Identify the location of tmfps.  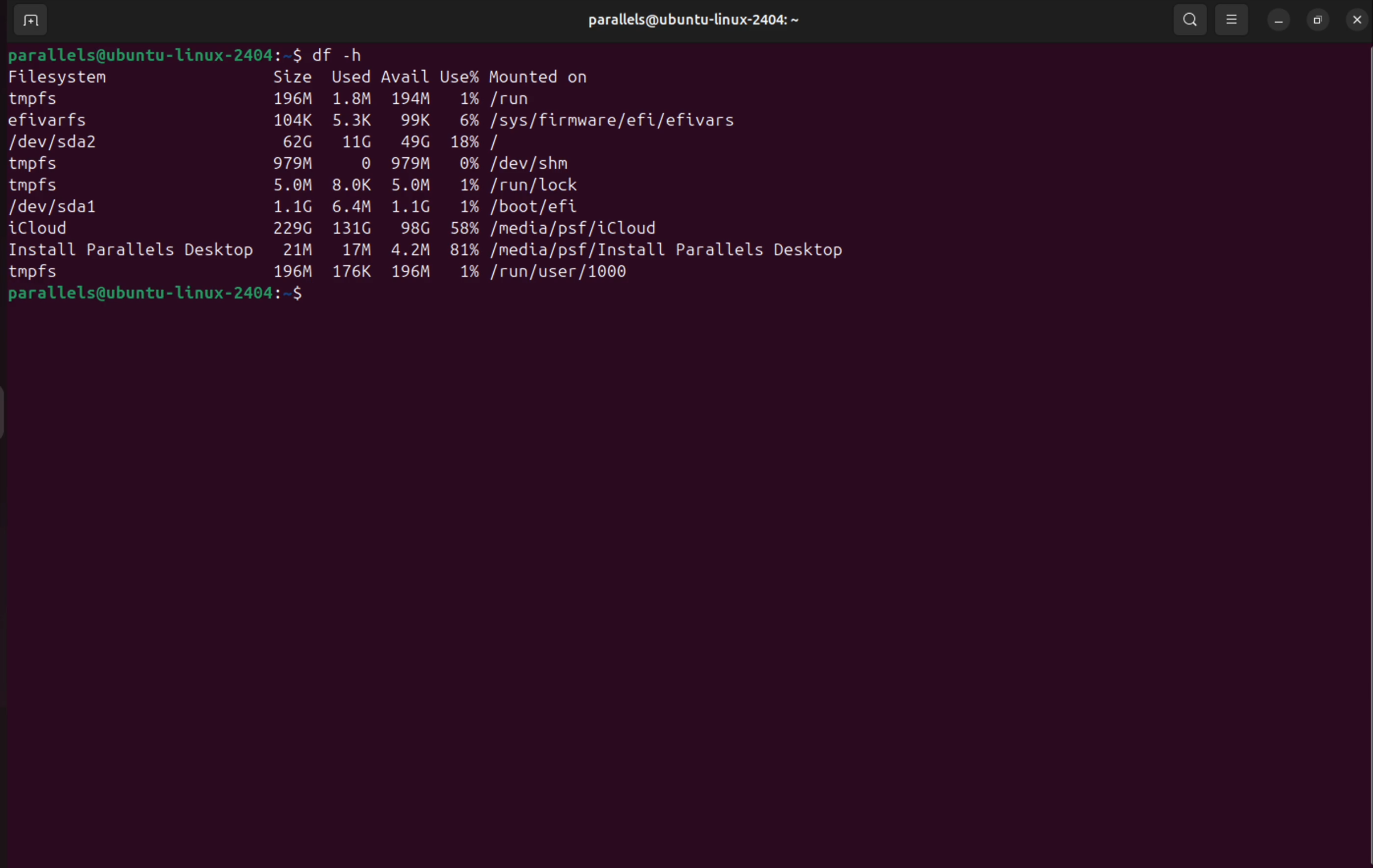
(34, 101).